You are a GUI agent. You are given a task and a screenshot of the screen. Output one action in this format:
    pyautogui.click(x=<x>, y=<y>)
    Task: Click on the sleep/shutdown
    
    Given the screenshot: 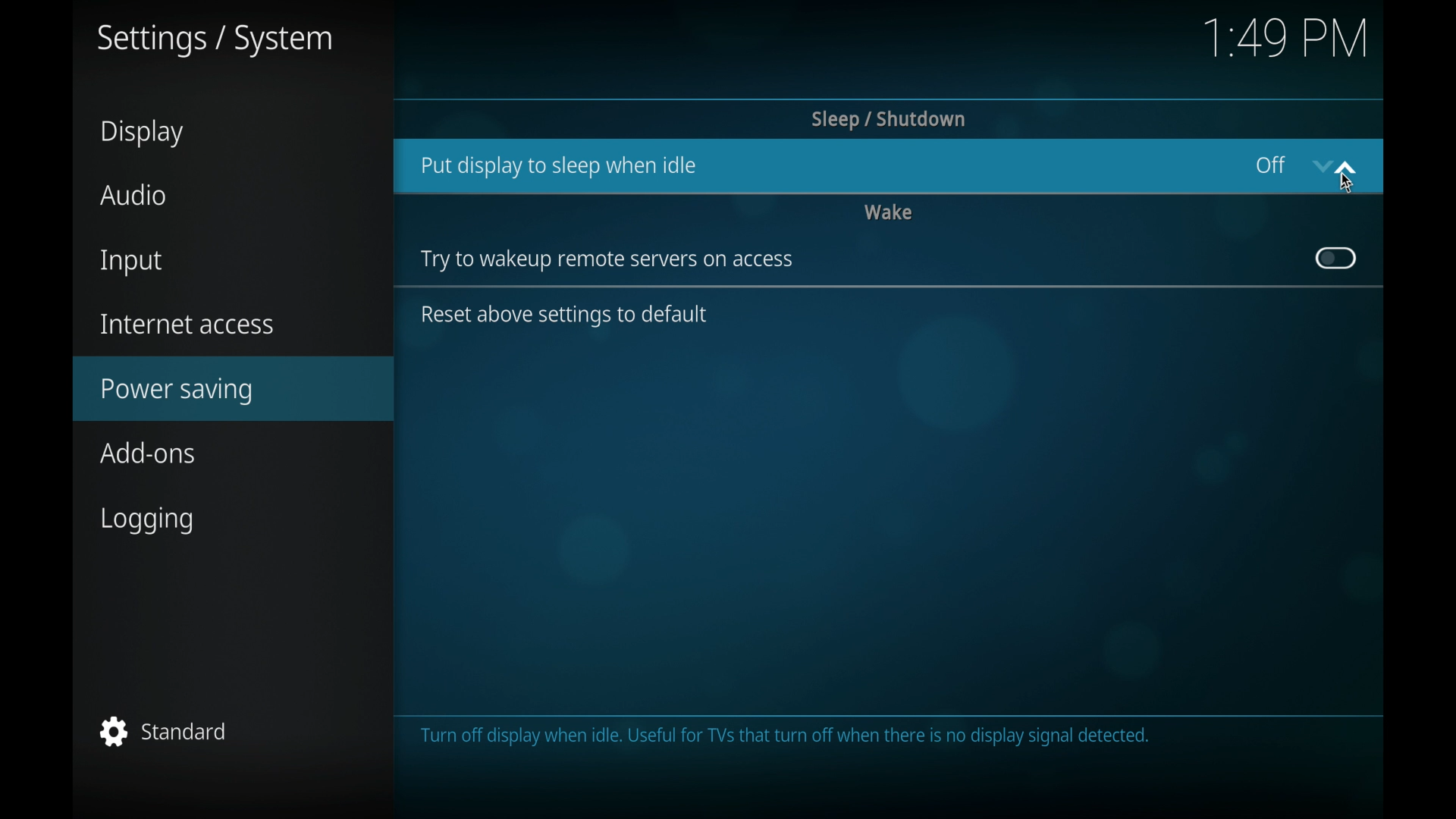 What is the action you would take?
    pyautogui.click(x=888, y=119)
    